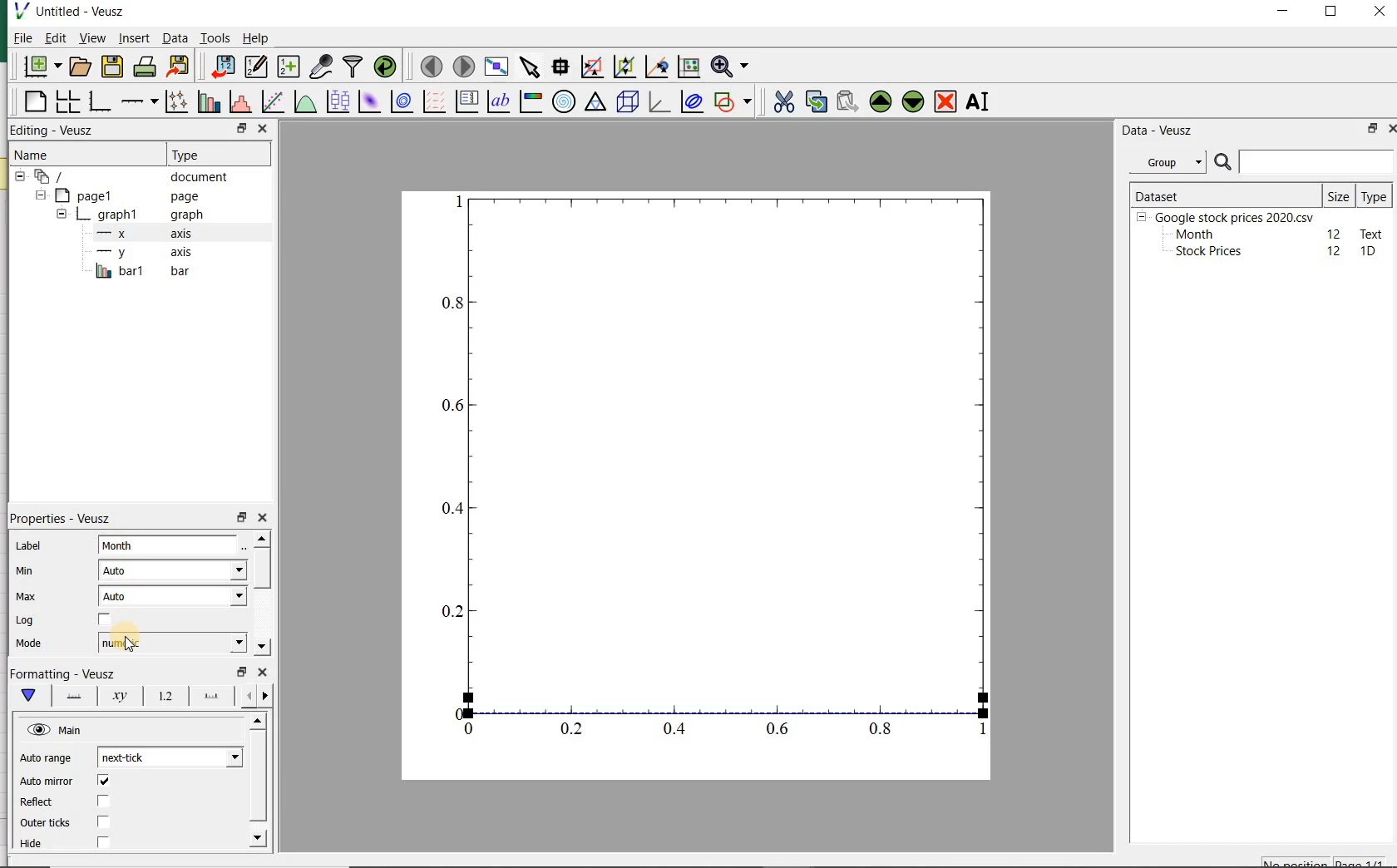 The height and width of the screenshot is (868, 1397). I want to click on close, so click(1380, 12).